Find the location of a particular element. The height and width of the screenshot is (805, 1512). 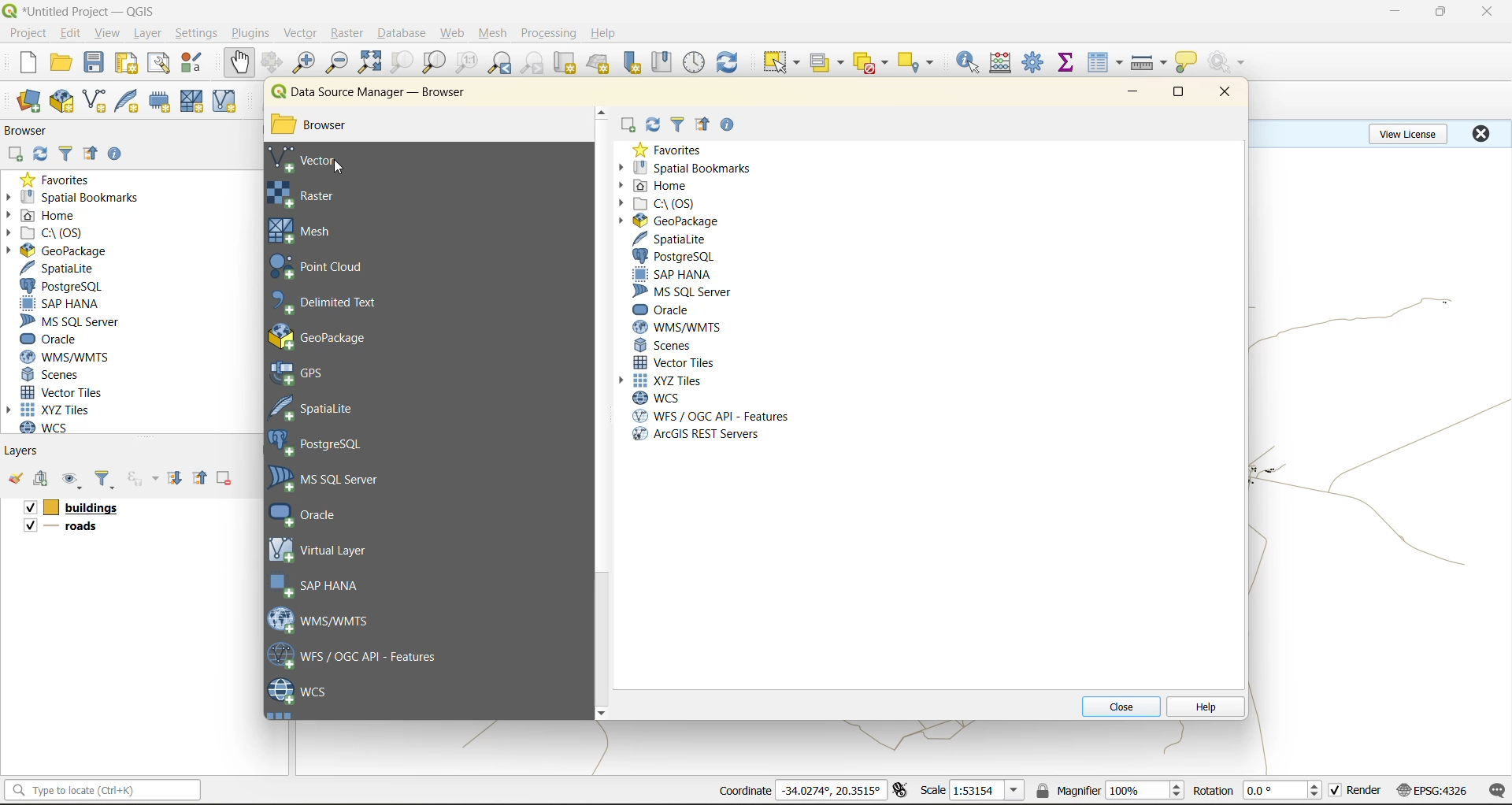

sap hana is located at coordinates (61, 304).